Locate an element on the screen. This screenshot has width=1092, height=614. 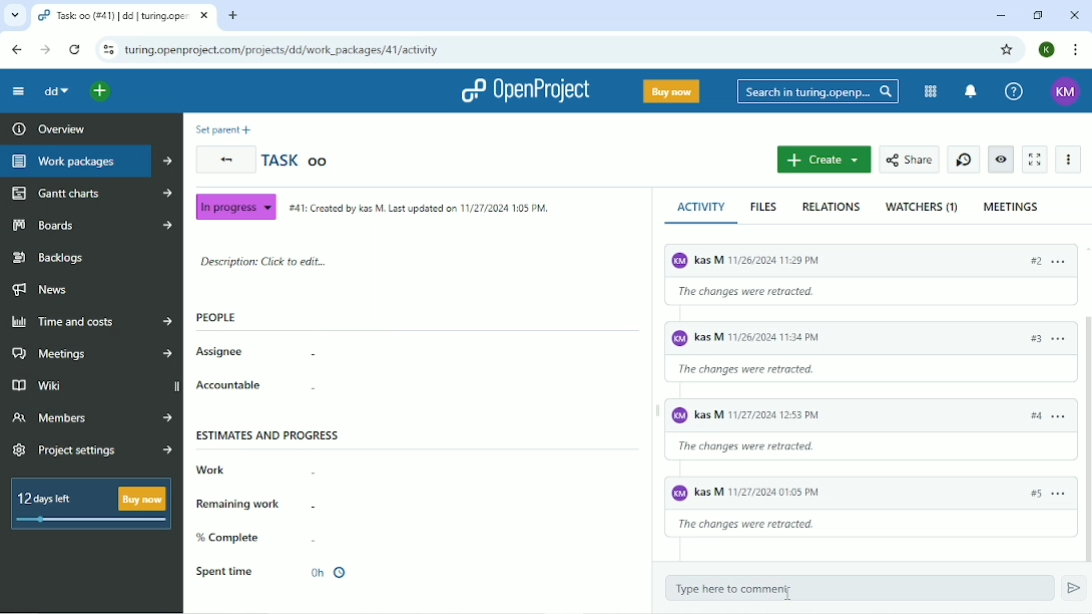
Create is located at coordinates (823, 160).